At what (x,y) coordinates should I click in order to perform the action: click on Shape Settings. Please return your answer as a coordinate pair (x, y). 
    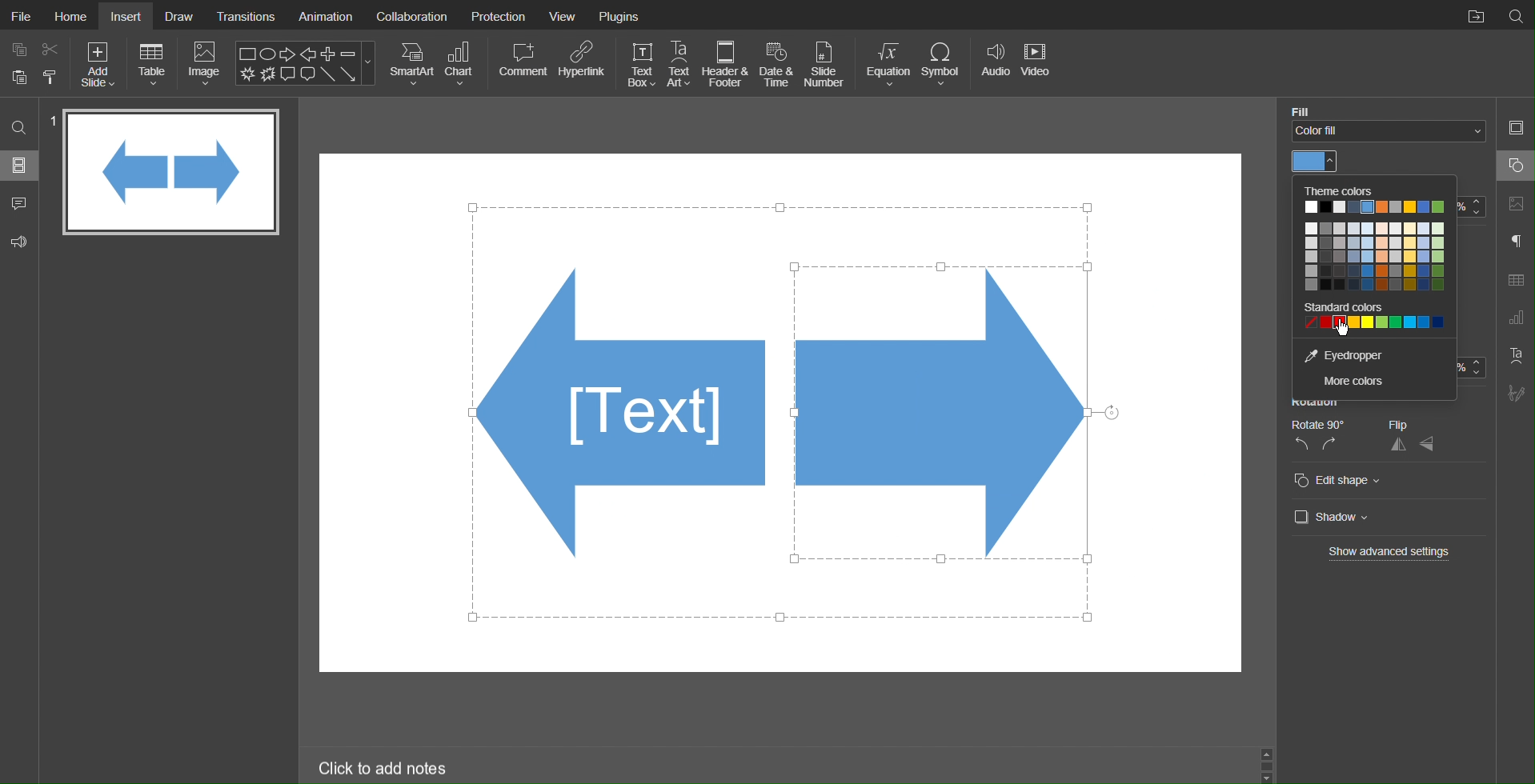
    Looking at the image, I should click on (1515, 166).